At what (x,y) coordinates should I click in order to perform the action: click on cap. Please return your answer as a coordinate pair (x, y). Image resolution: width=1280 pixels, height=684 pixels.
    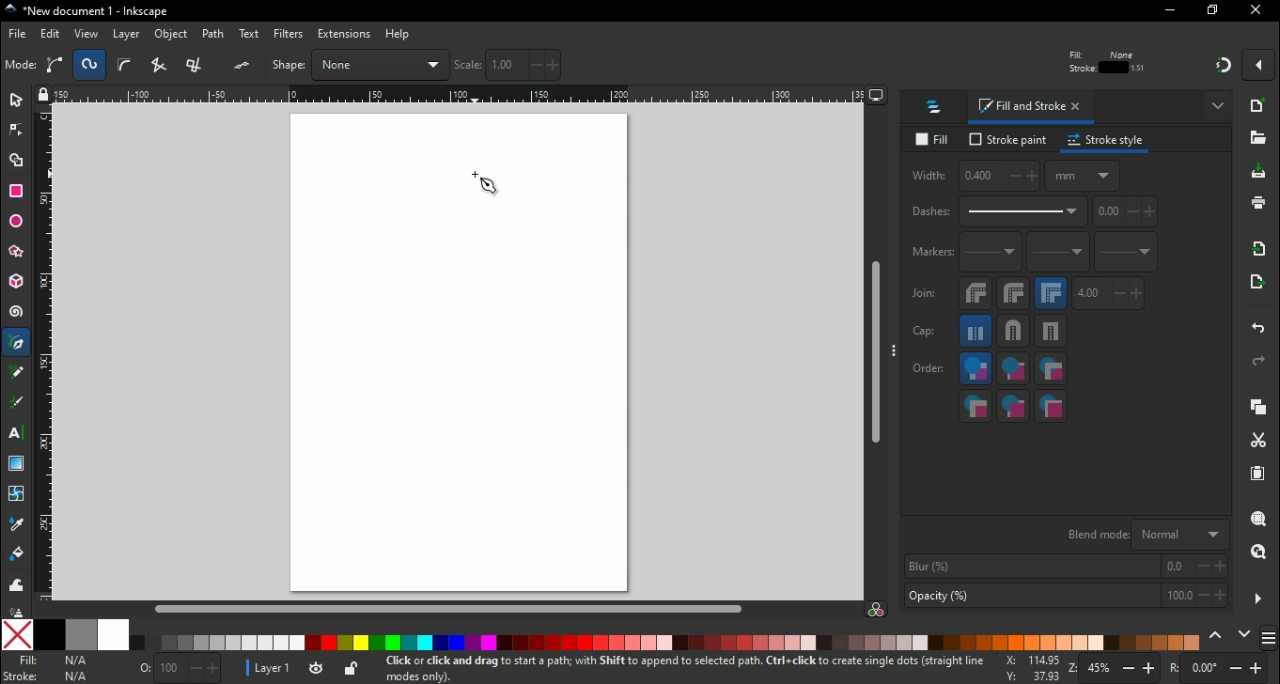
    Looking at the image, I should click on (929, 334).